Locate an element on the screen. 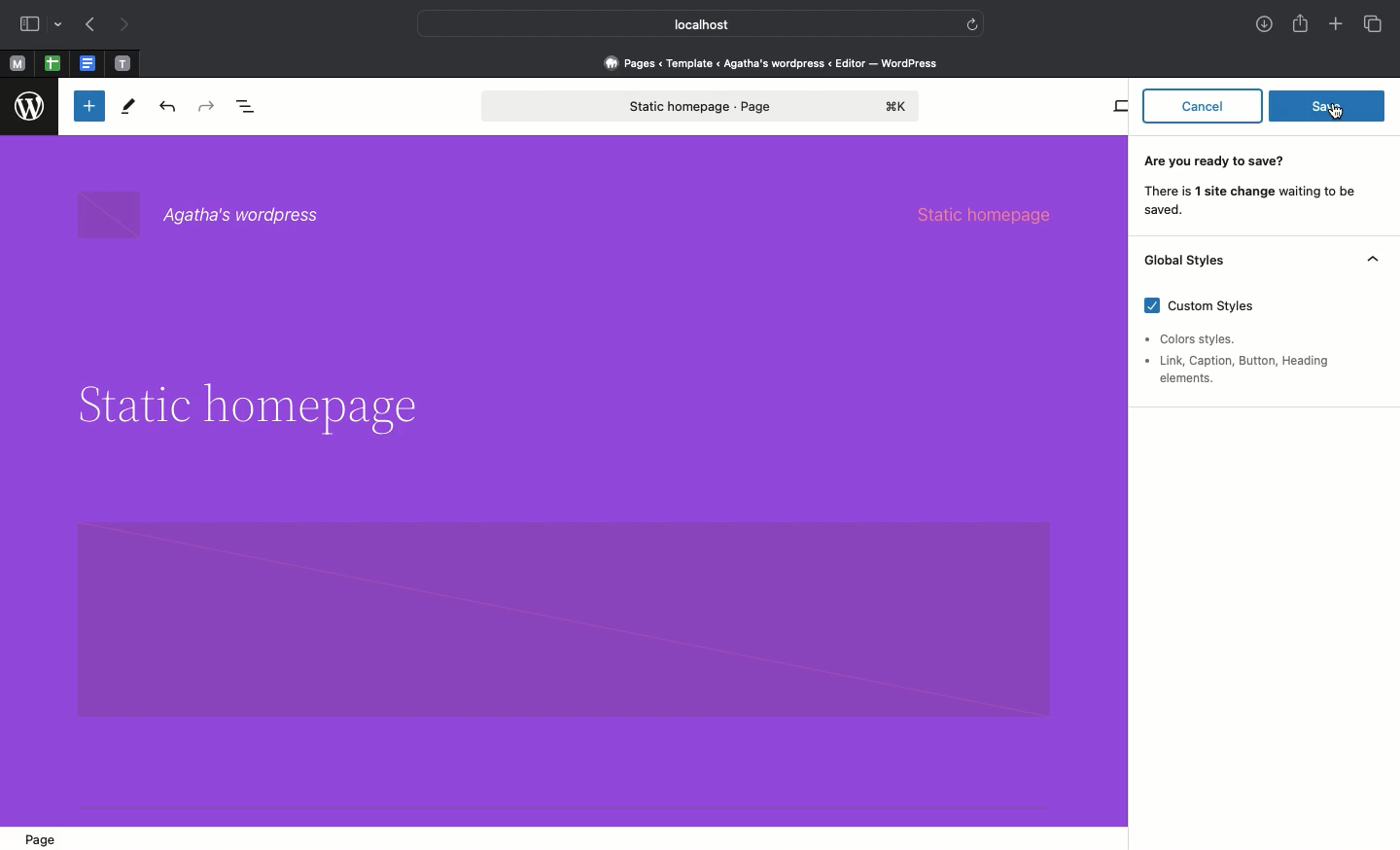 This screenshot has width=1400, height=850. Cancel is located at coordinates (1203, 104).